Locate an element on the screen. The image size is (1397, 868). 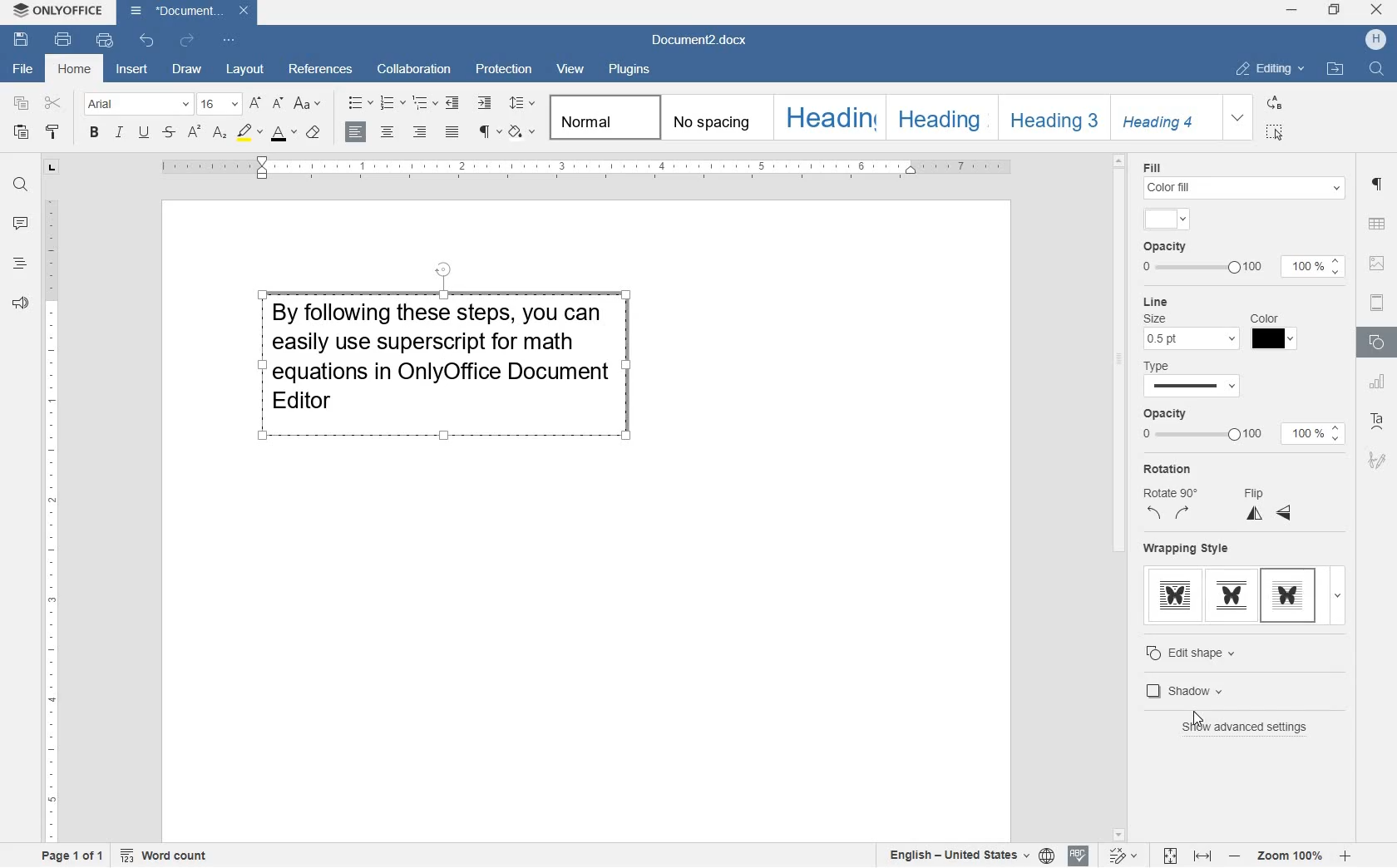
table is located at coordinates (1378, 225).